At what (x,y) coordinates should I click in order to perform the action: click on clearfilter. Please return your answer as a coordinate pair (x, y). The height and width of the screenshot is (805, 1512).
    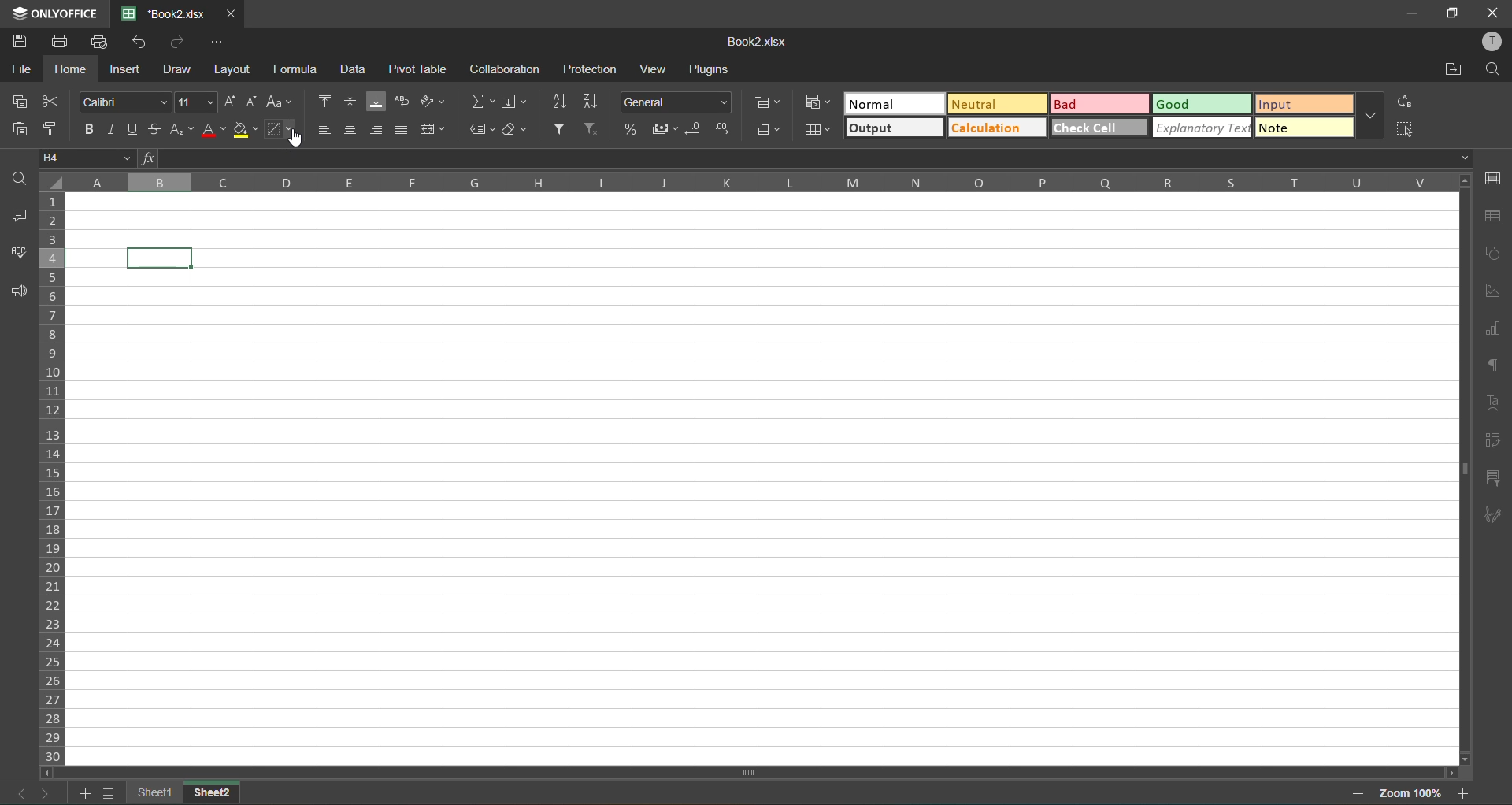
    Looking at the image, I should click on (594, 128).